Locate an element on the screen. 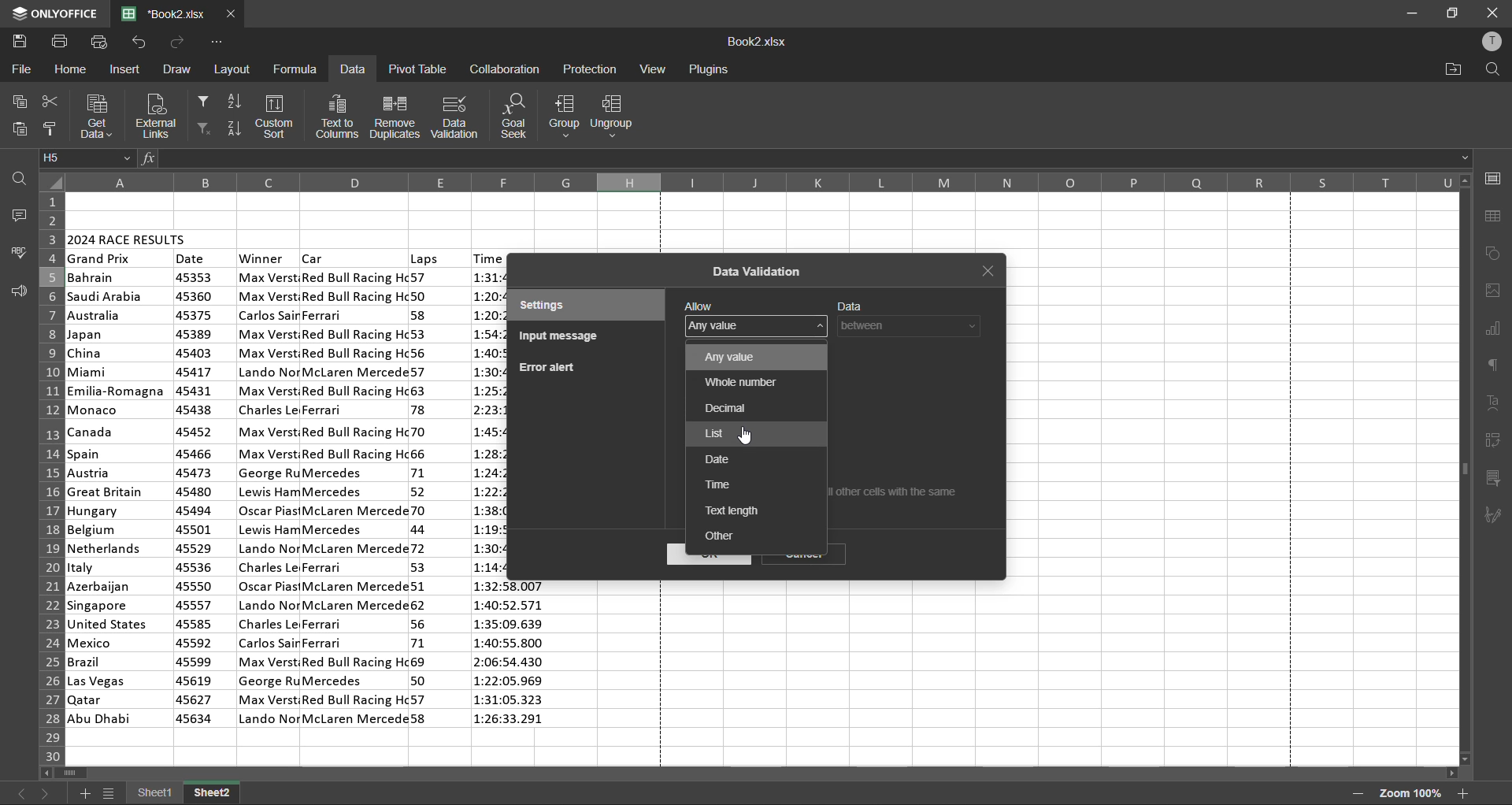  winner is located at coordinates (262, 258).